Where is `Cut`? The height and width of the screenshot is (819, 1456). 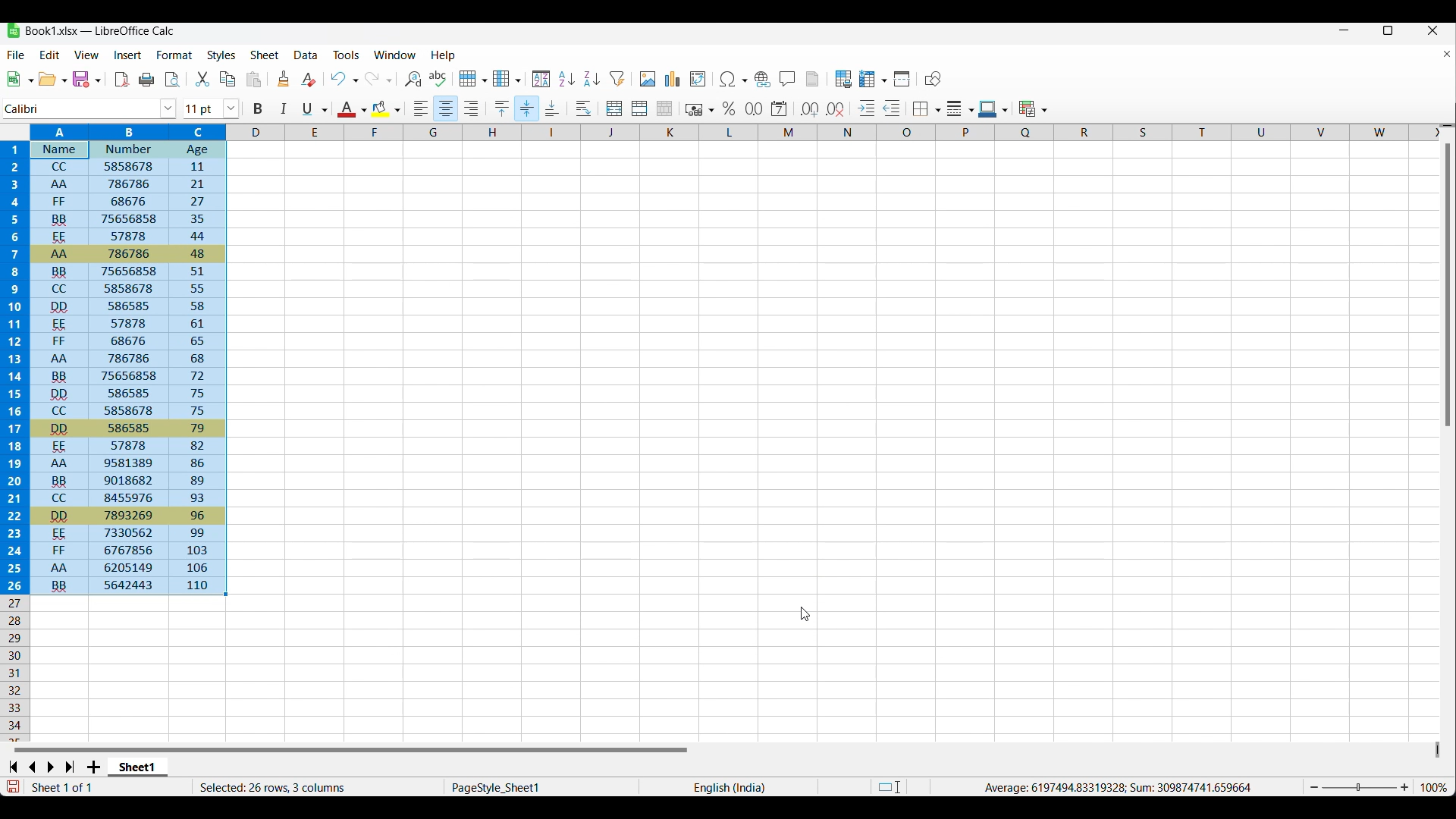
Cut is located at coordinates (202, 79).